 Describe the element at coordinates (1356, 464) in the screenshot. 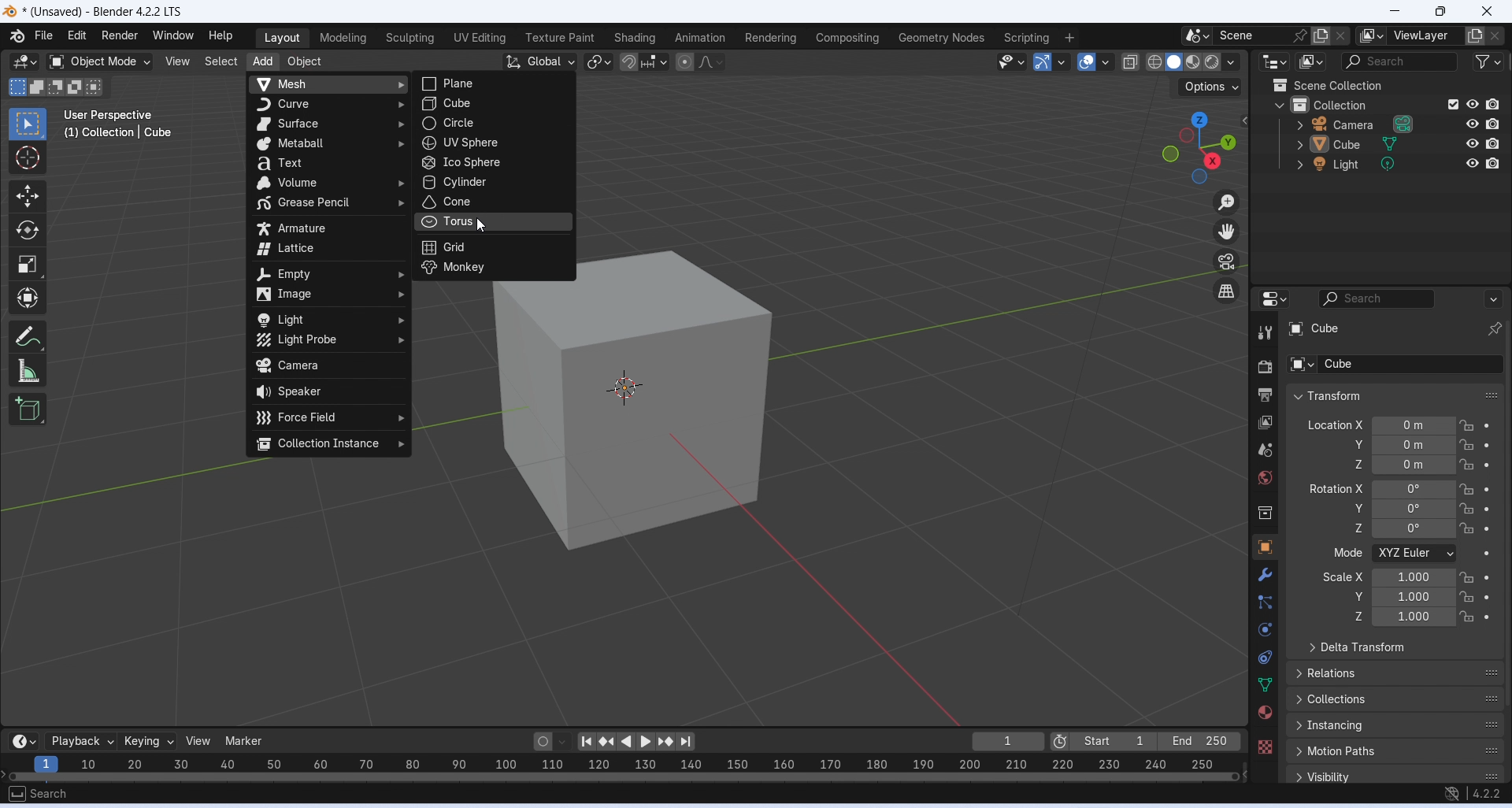

I see `Location Z` at that location.